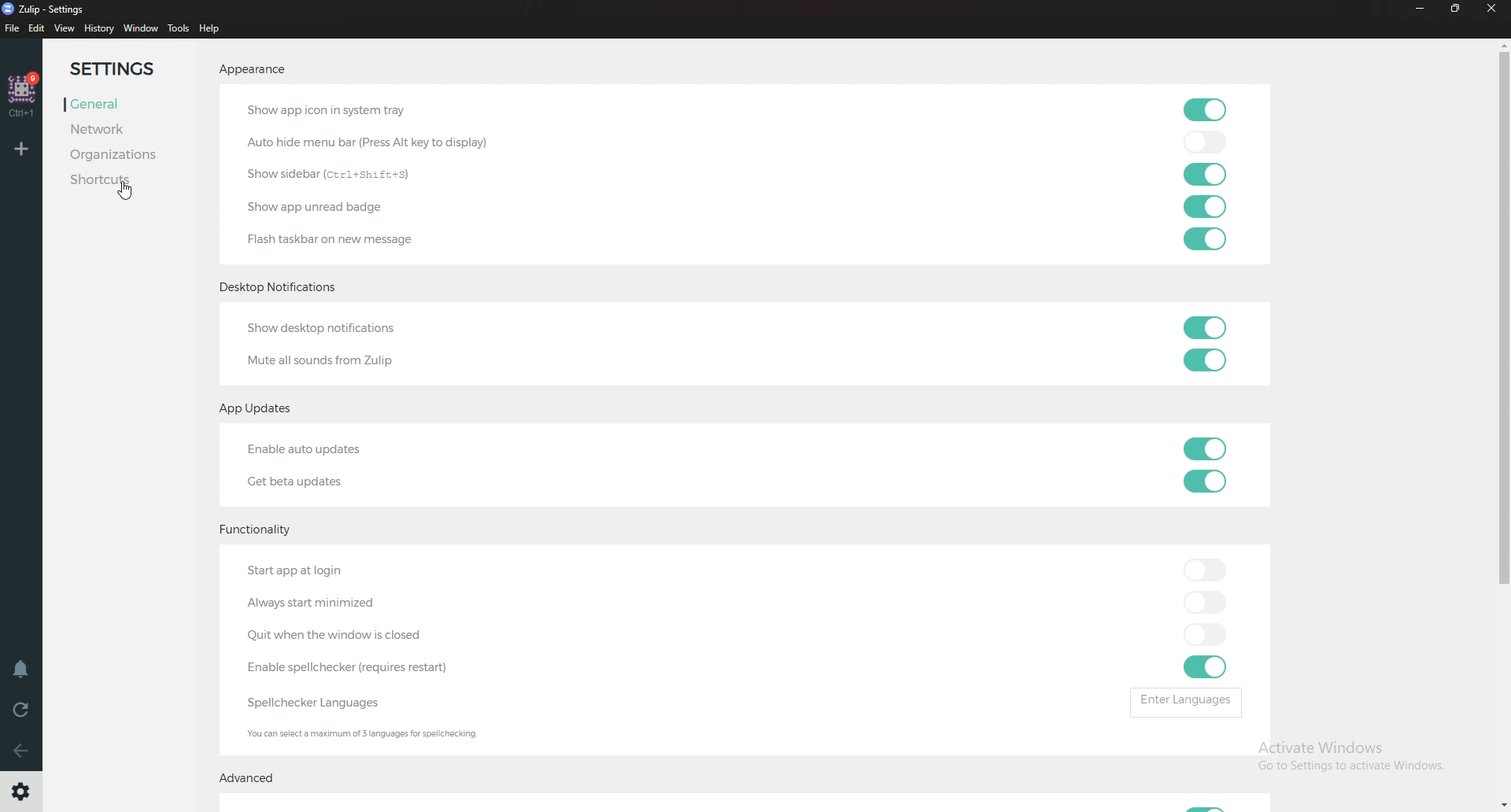 This screenshot has width=1511, height=812. What do you see at coordinates (65, 29) in the screenshot?
I see `view` at bounding box center [65, 29].